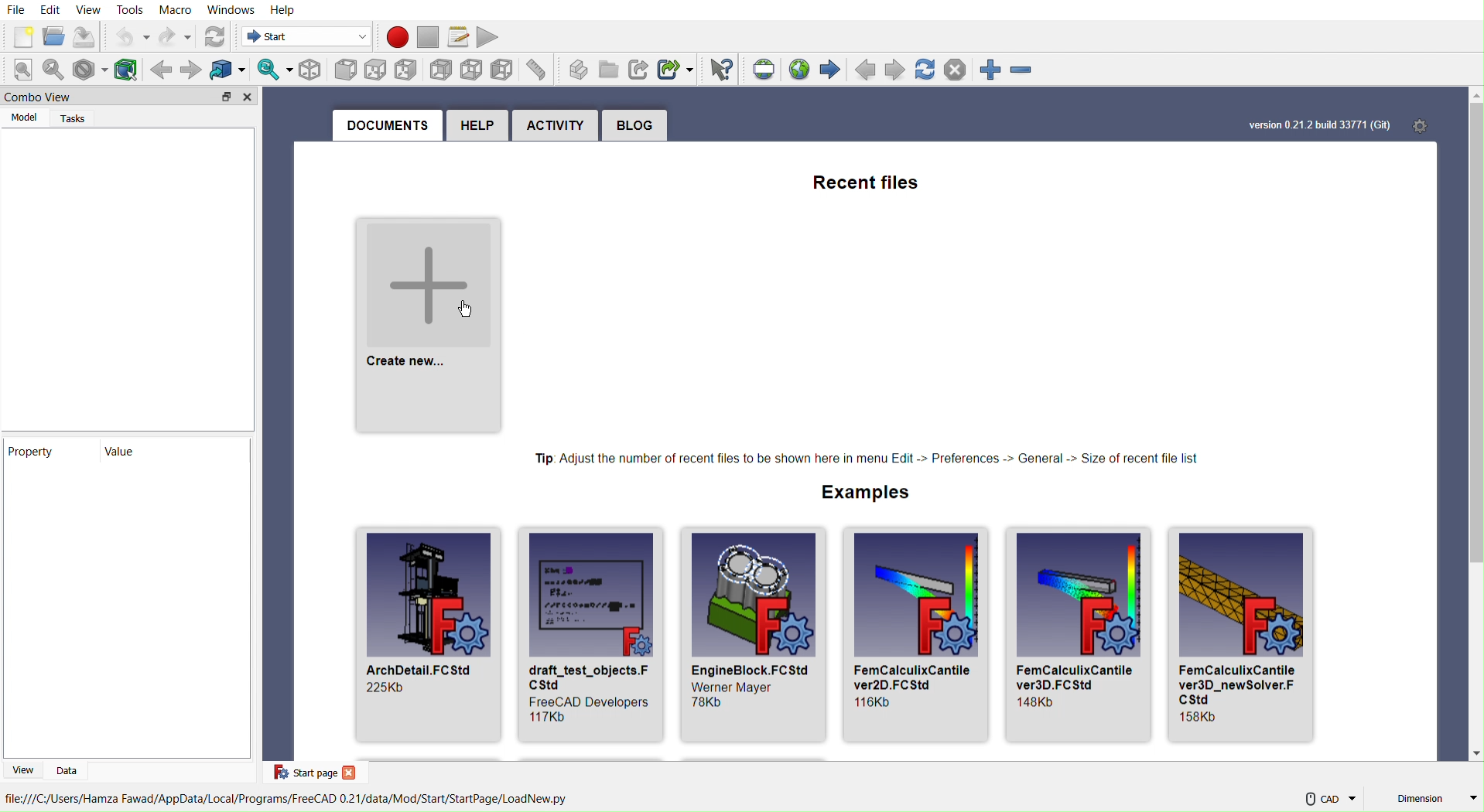  I want to click on Create a new group, so click(608, 71).